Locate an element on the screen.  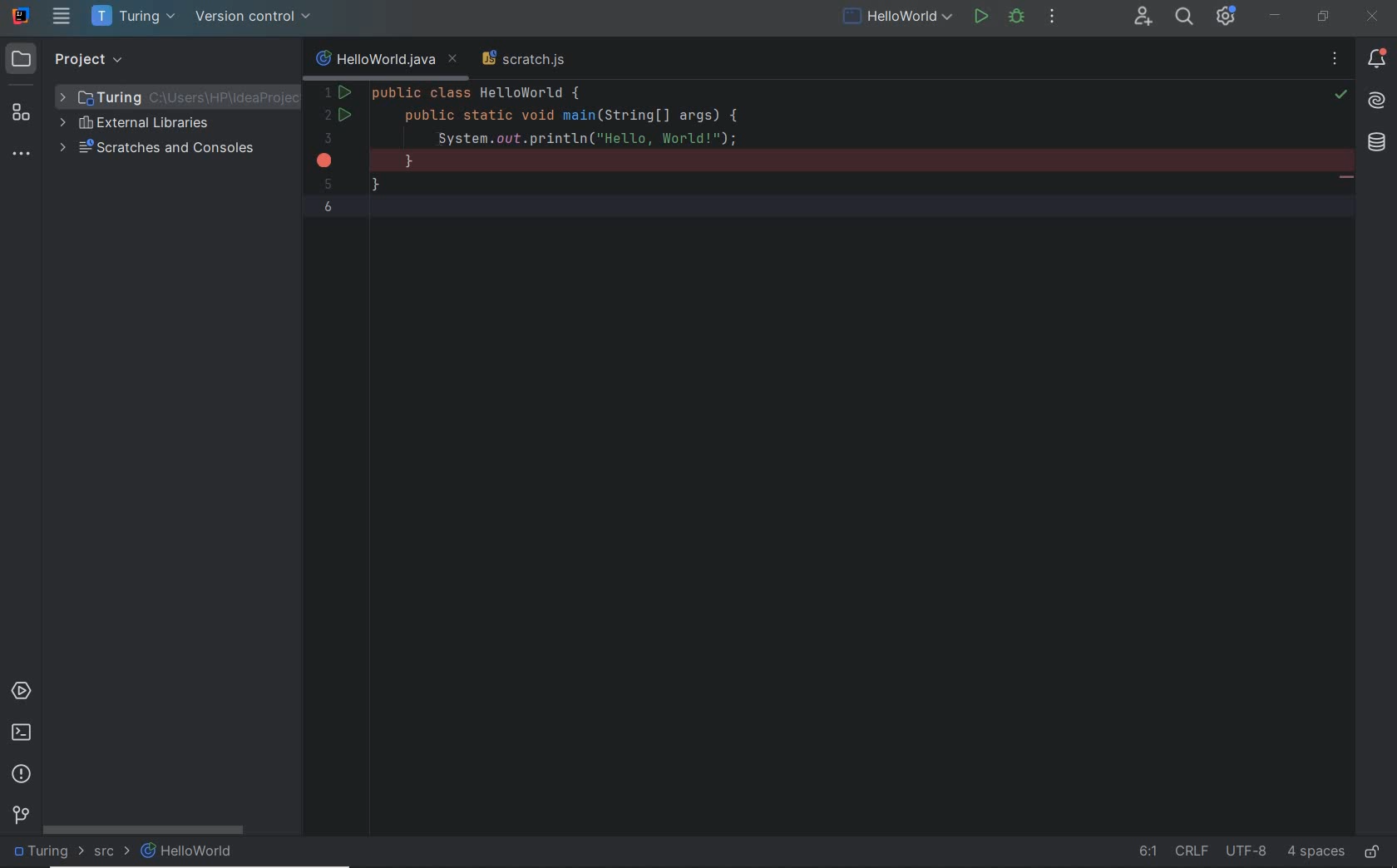
main menu is located at coordinates (62, 18).